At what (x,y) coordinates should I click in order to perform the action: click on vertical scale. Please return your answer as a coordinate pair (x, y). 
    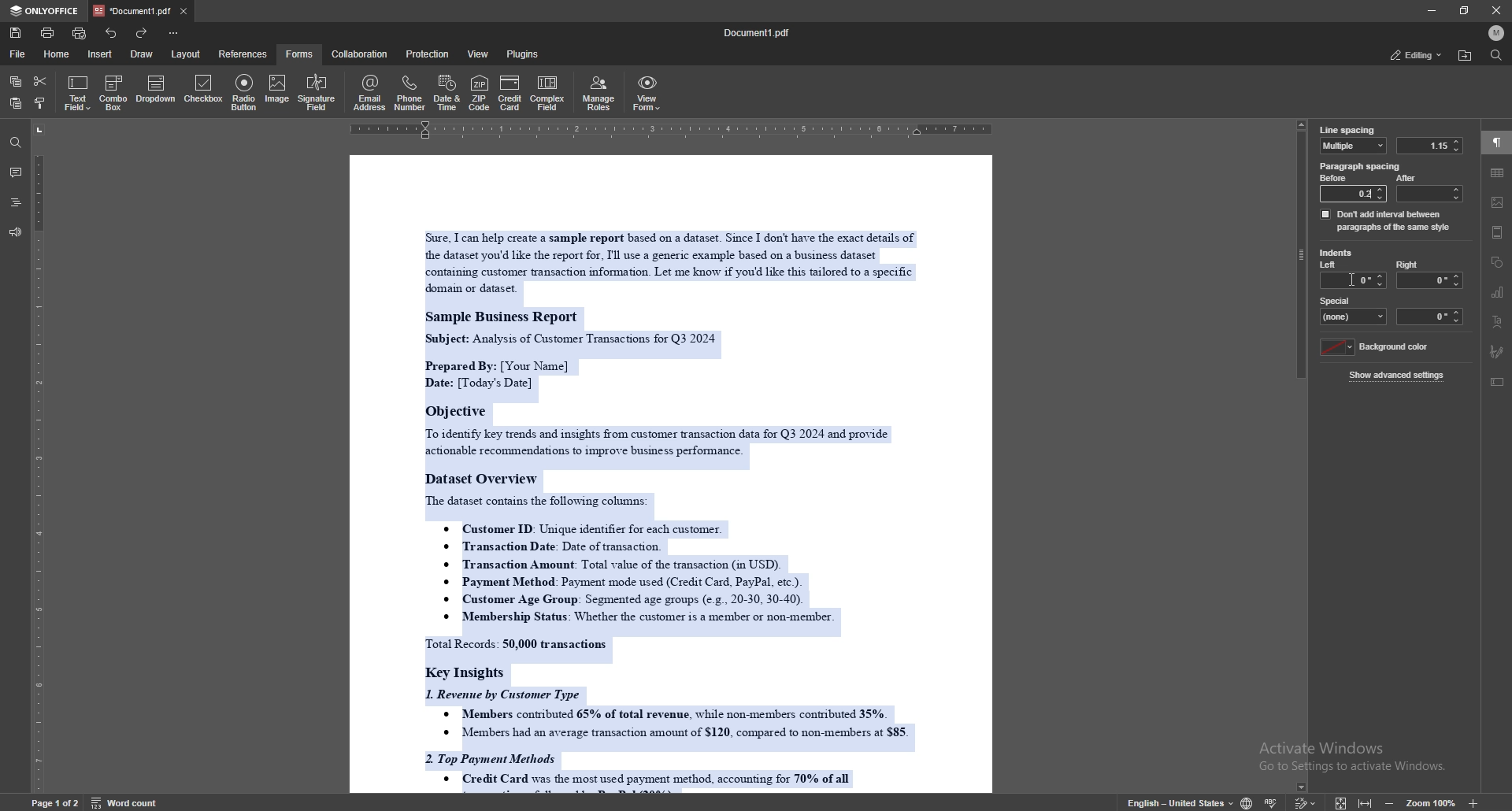
    Looking at the image, I should click on (39, 458).